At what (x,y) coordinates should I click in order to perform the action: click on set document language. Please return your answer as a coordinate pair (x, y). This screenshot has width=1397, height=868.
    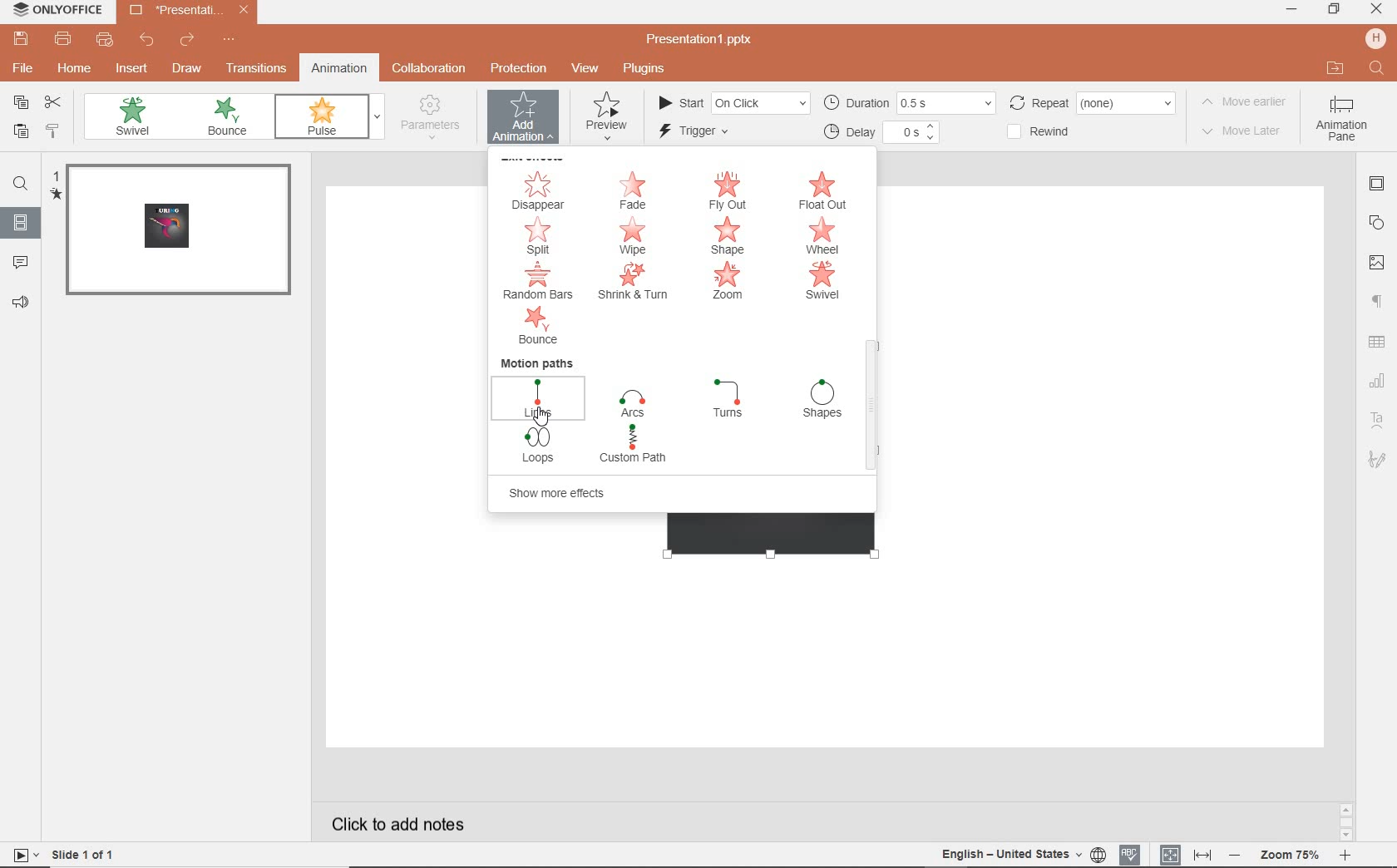
    Looking at the image, I should click on (1099, 854).